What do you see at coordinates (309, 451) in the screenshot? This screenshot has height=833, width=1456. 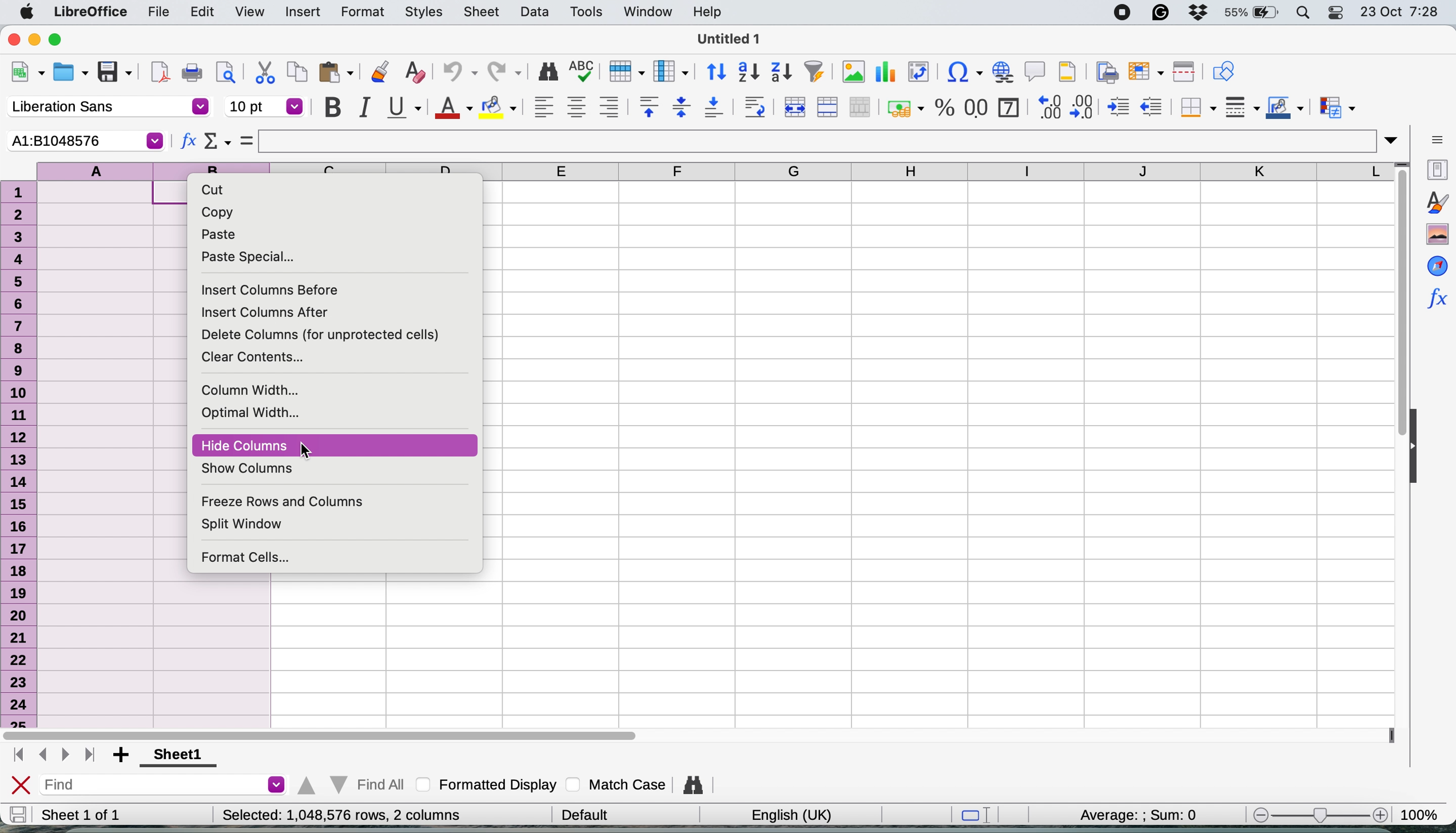 I see `cursor` at bounding box center [309, 451].